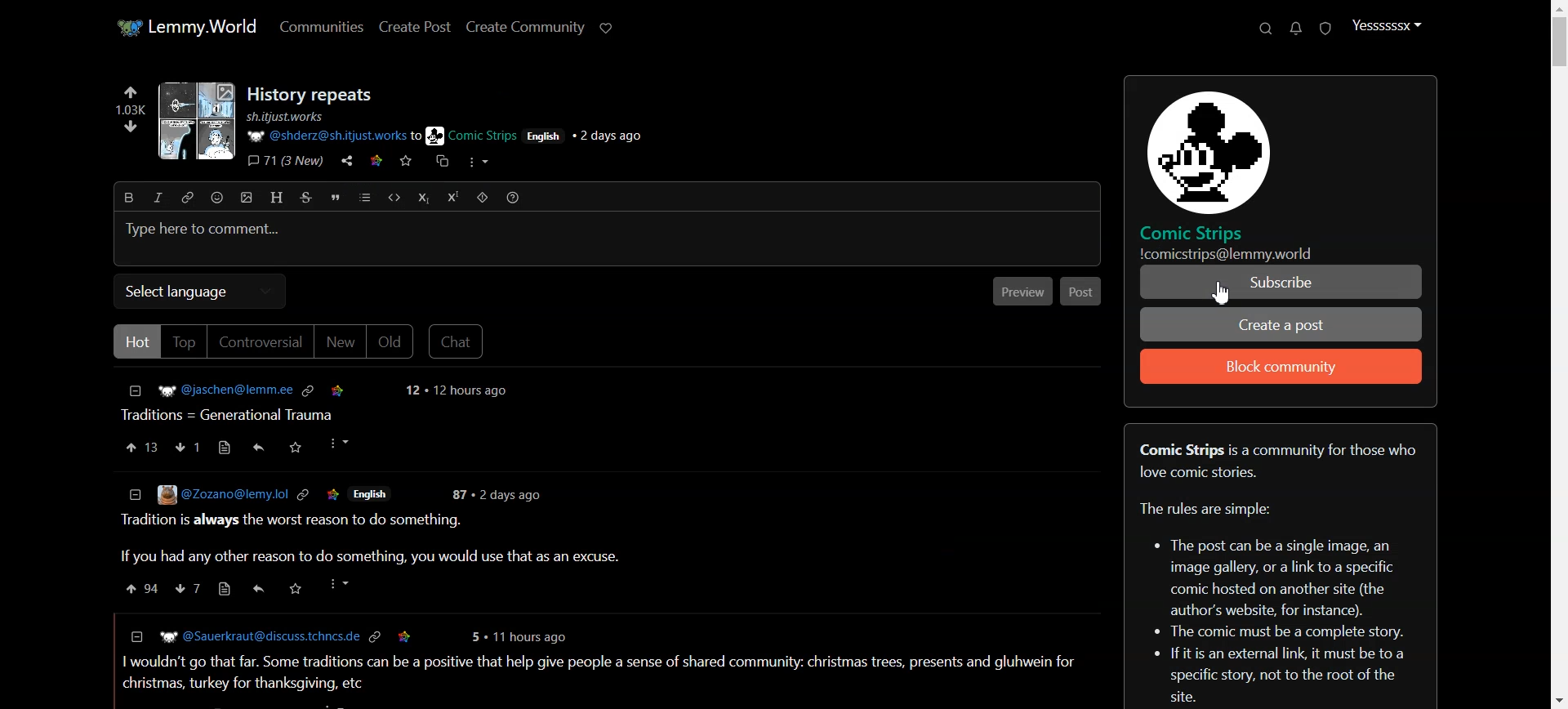 The height and width of the screenshot is (709, 1568). I want to click on upload image, so click(247, 198).